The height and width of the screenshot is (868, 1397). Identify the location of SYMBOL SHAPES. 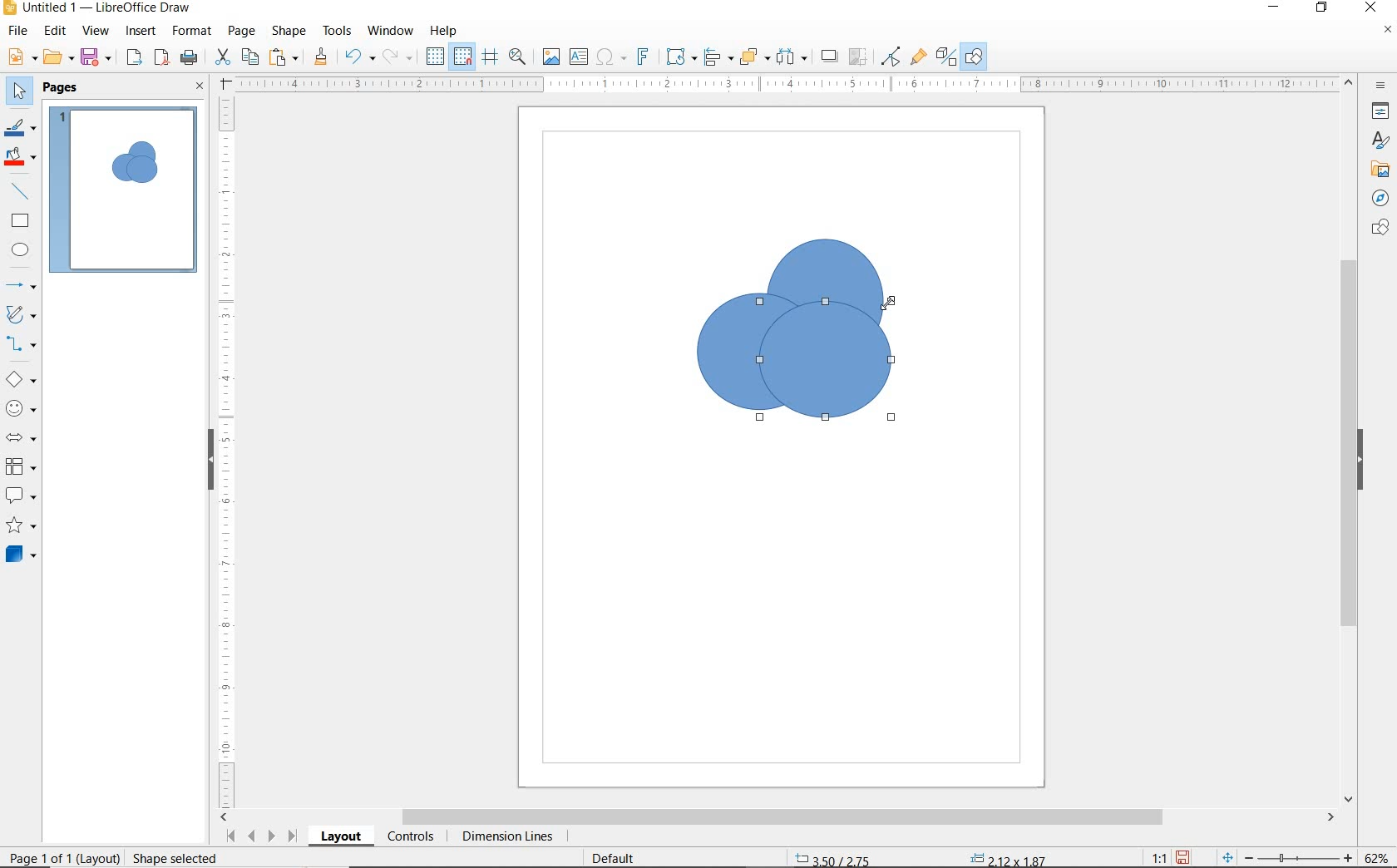
(22, 408).